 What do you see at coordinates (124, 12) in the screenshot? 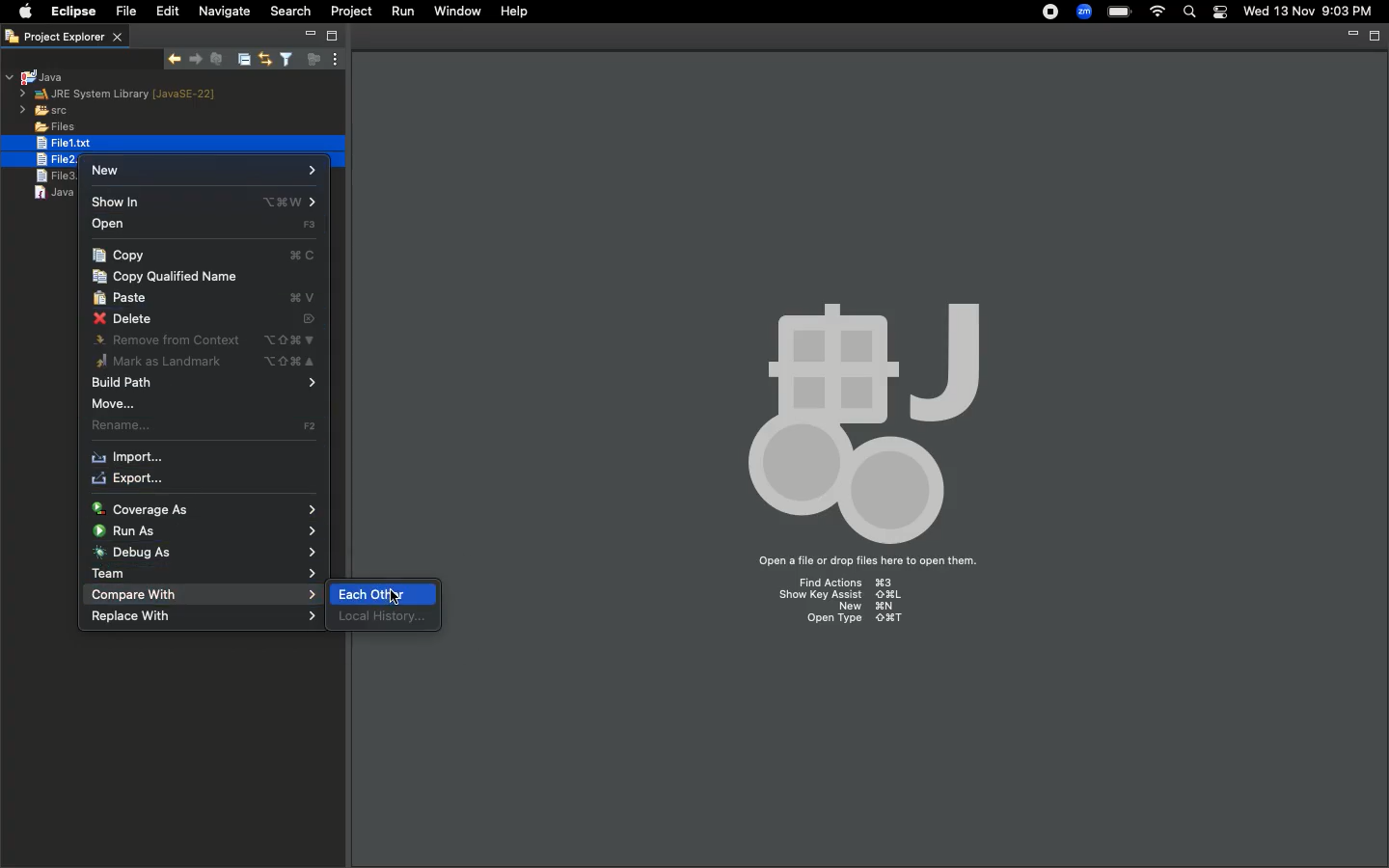
I see `File` at bounding box center [124, 12].